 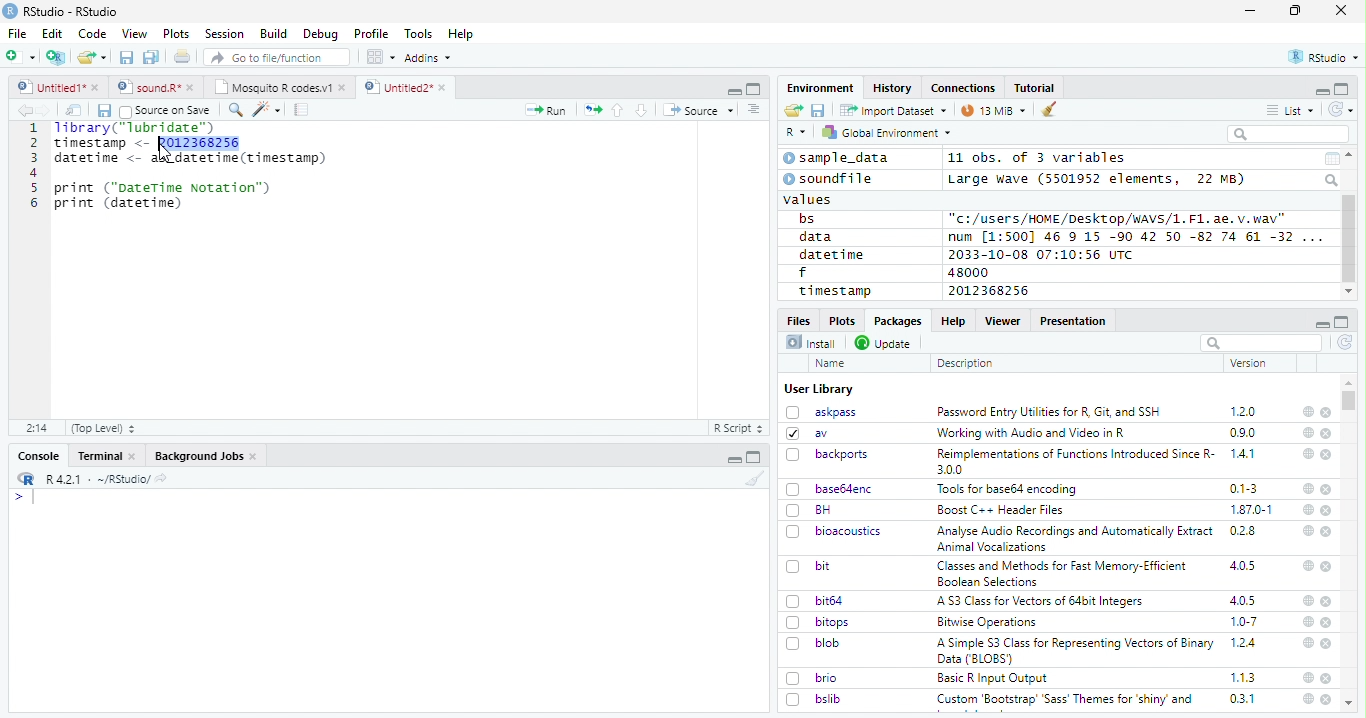 What do you see at coordinates (1253, 11) in the screenshot?
I see `minimize` at bounding box center [1253, 11].